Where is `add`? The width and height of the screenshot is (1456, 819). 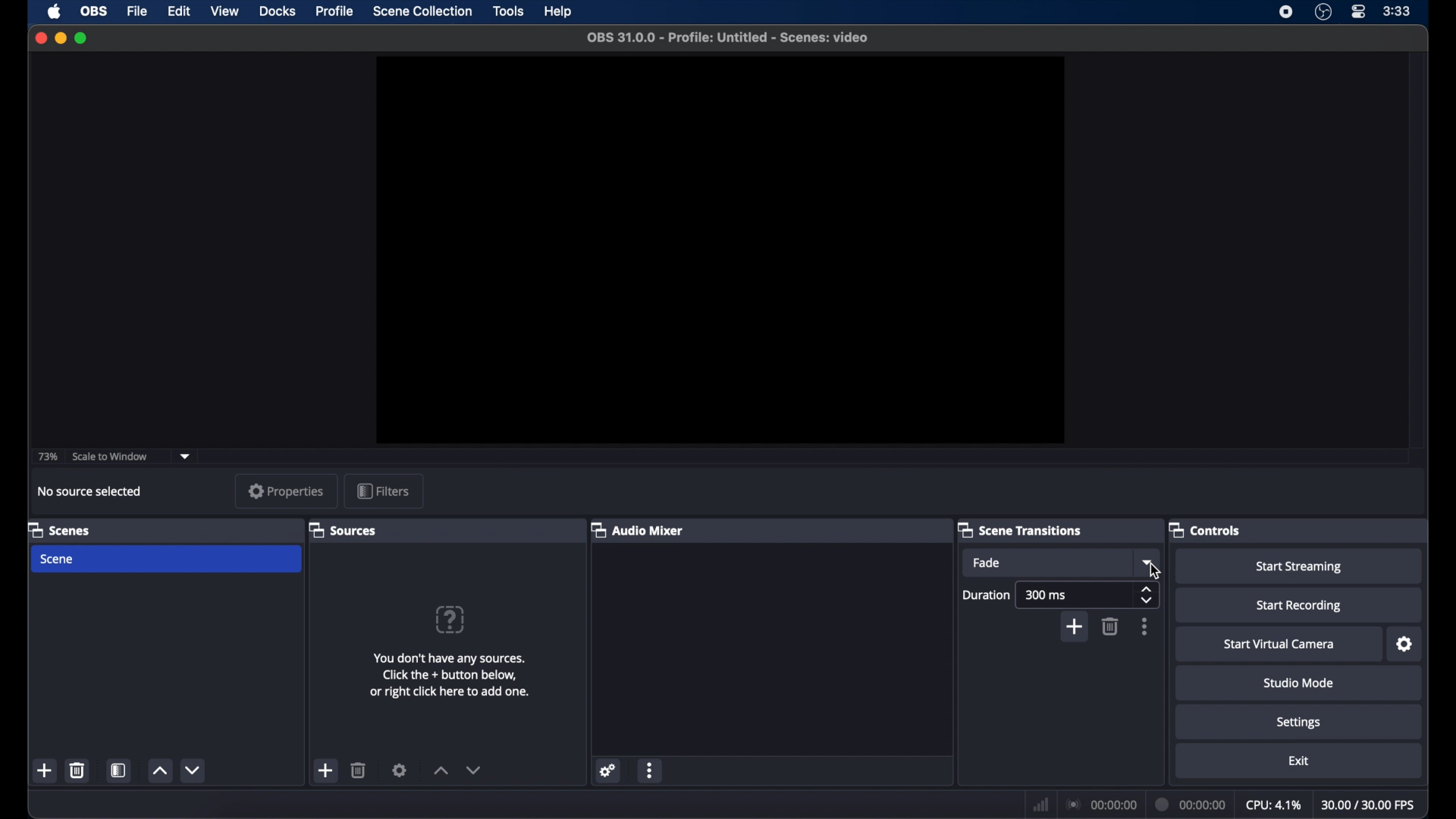
add is located at coordinates (1074, 626).